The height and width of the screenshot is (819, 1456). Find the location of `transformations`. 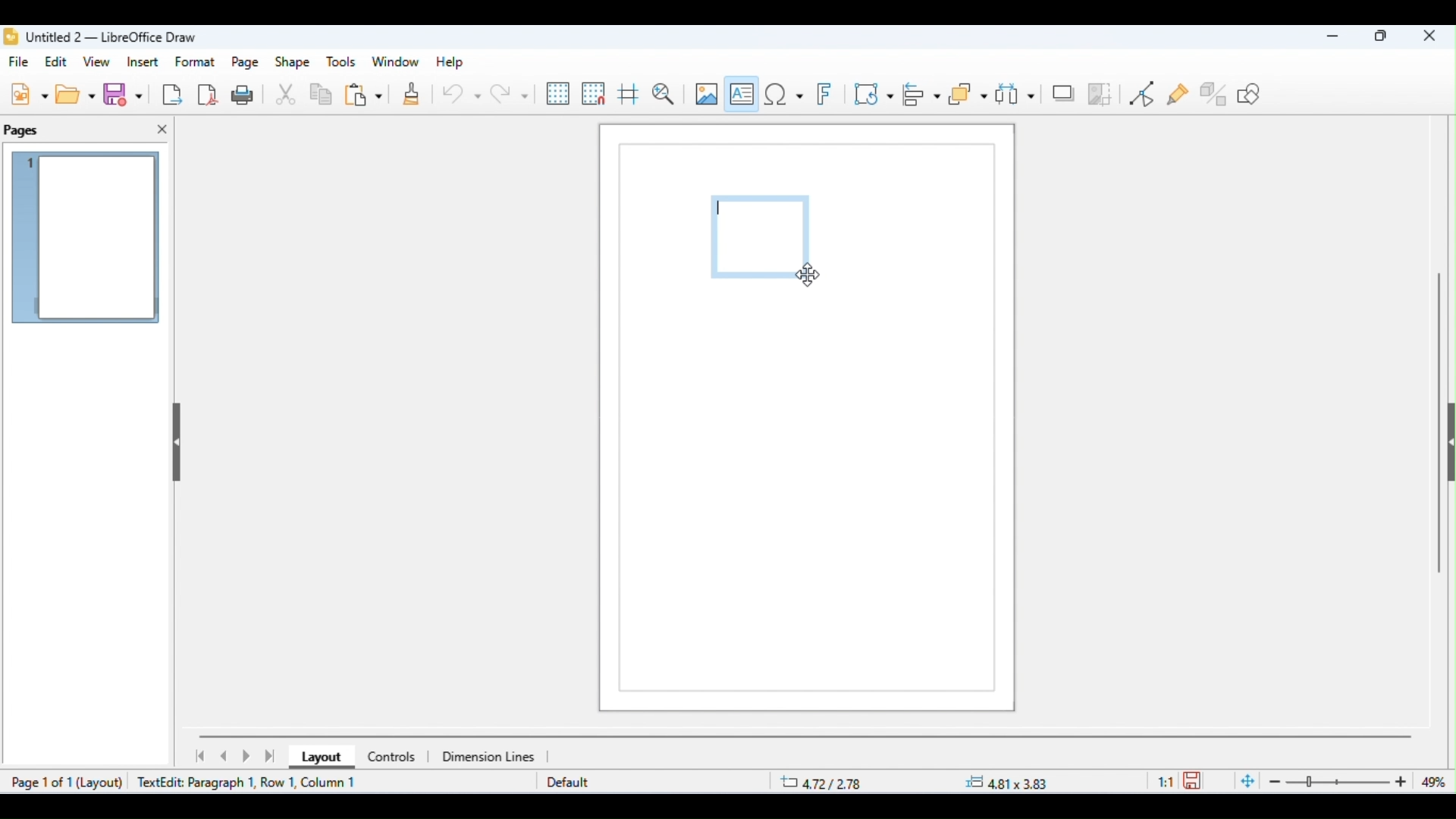

transformations is located at coordinates (874, 93).